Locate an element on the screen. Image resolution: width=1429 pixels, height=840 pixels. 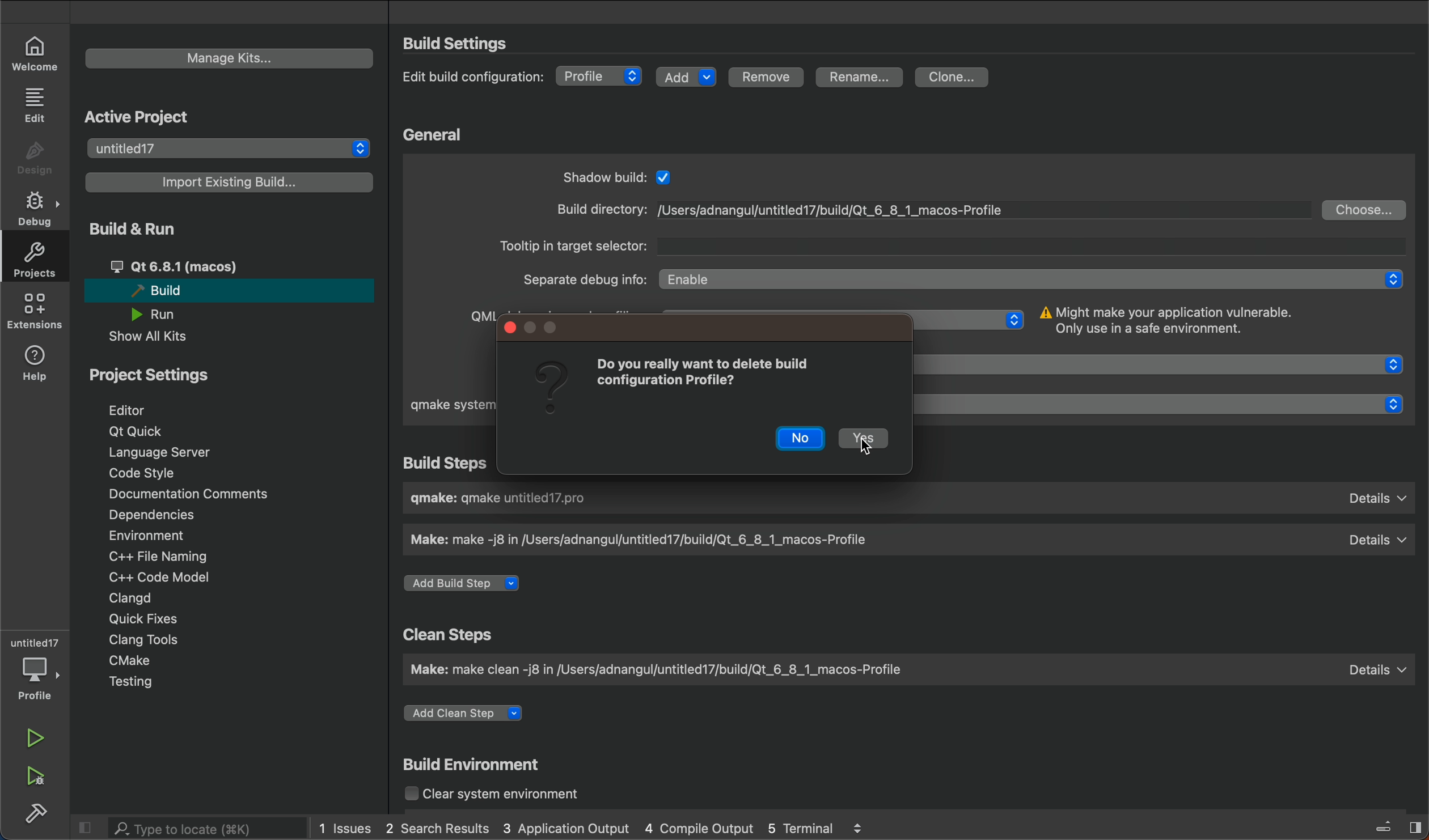
debug type is located at coordinates (602, 77).